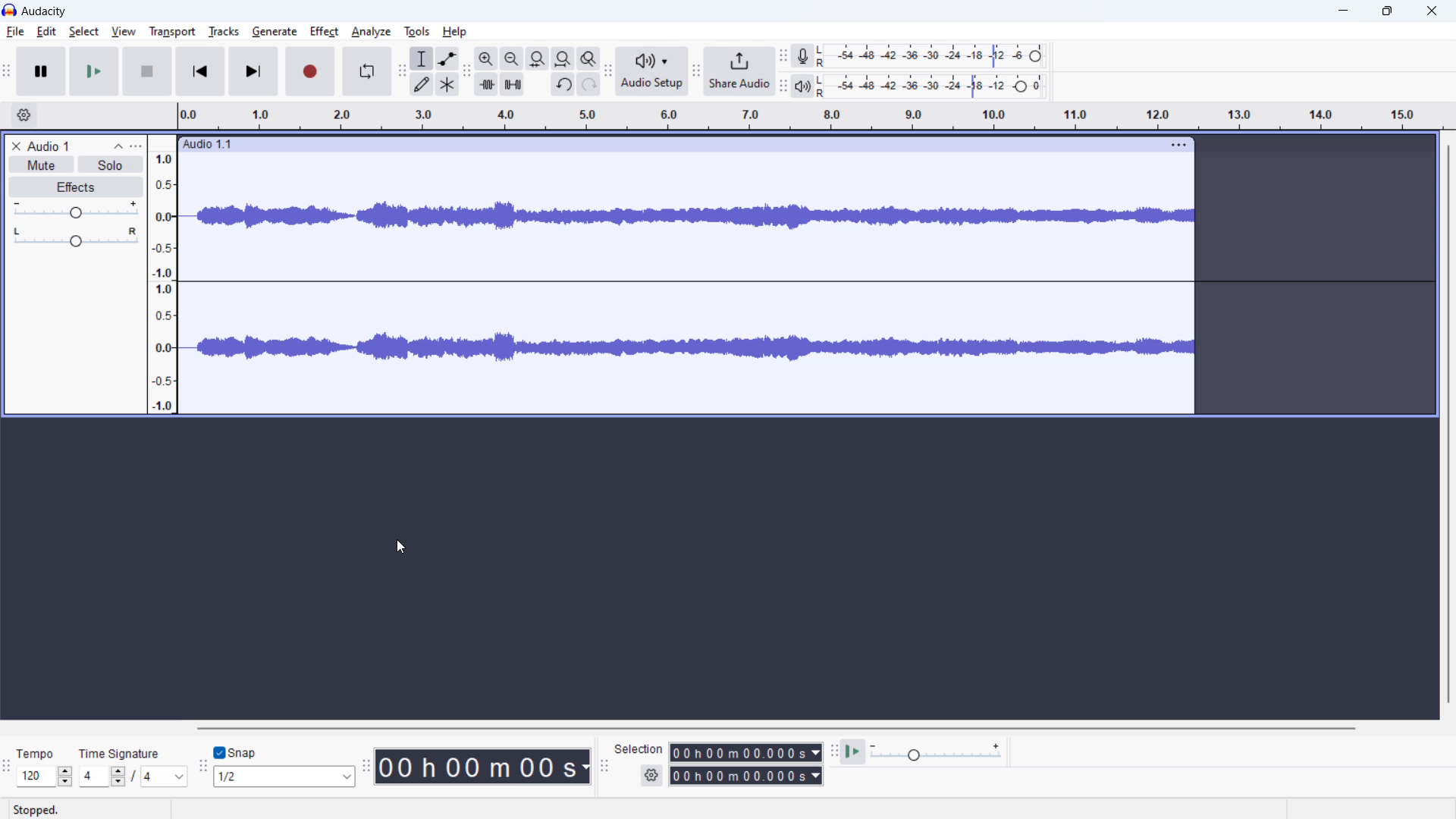  I want to click on skip to start, so click(200, 71).